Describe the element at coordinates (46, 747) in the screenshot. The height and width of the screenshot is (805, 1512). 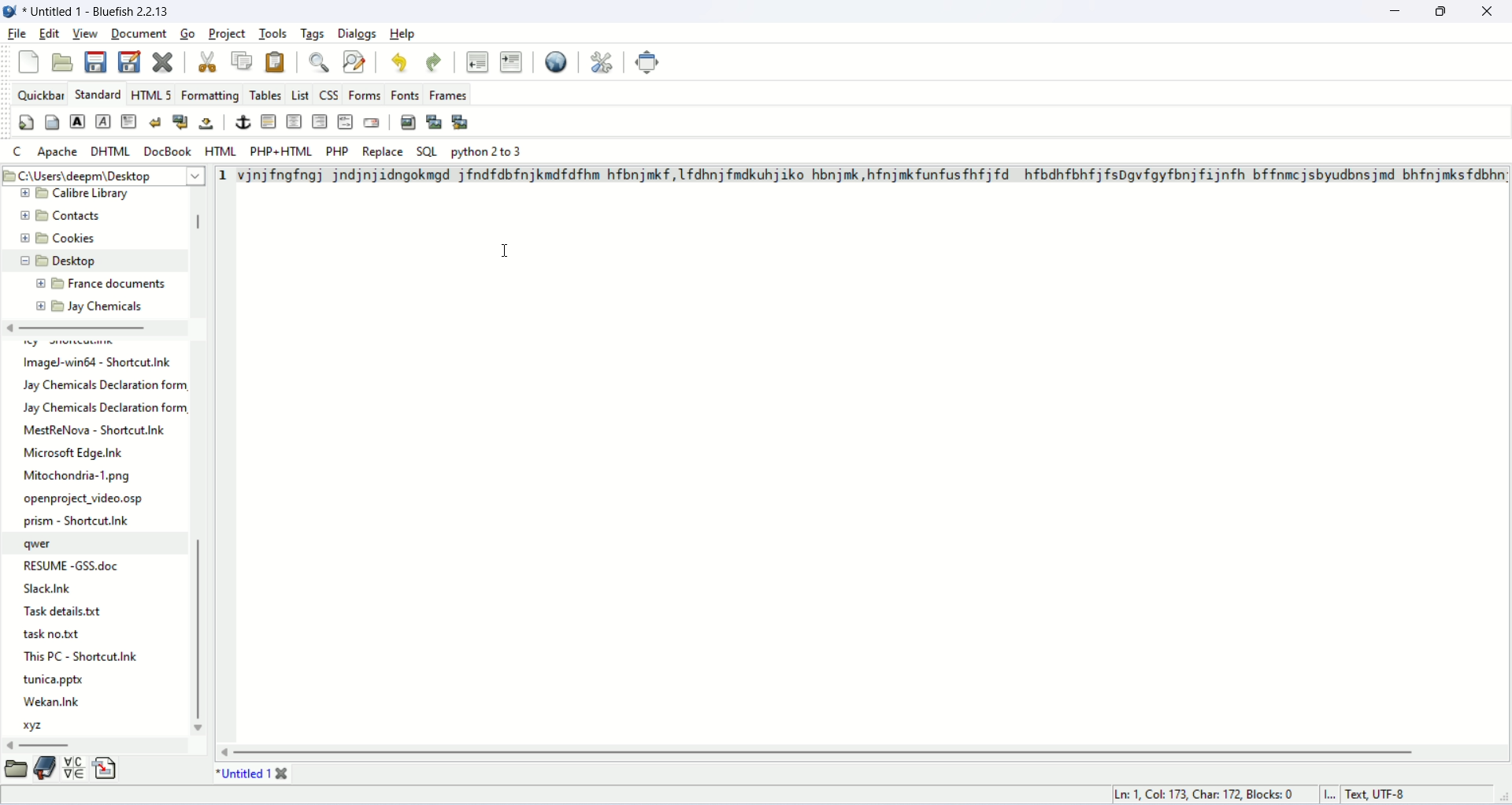
I see `horizontal scroll bar` at that location.